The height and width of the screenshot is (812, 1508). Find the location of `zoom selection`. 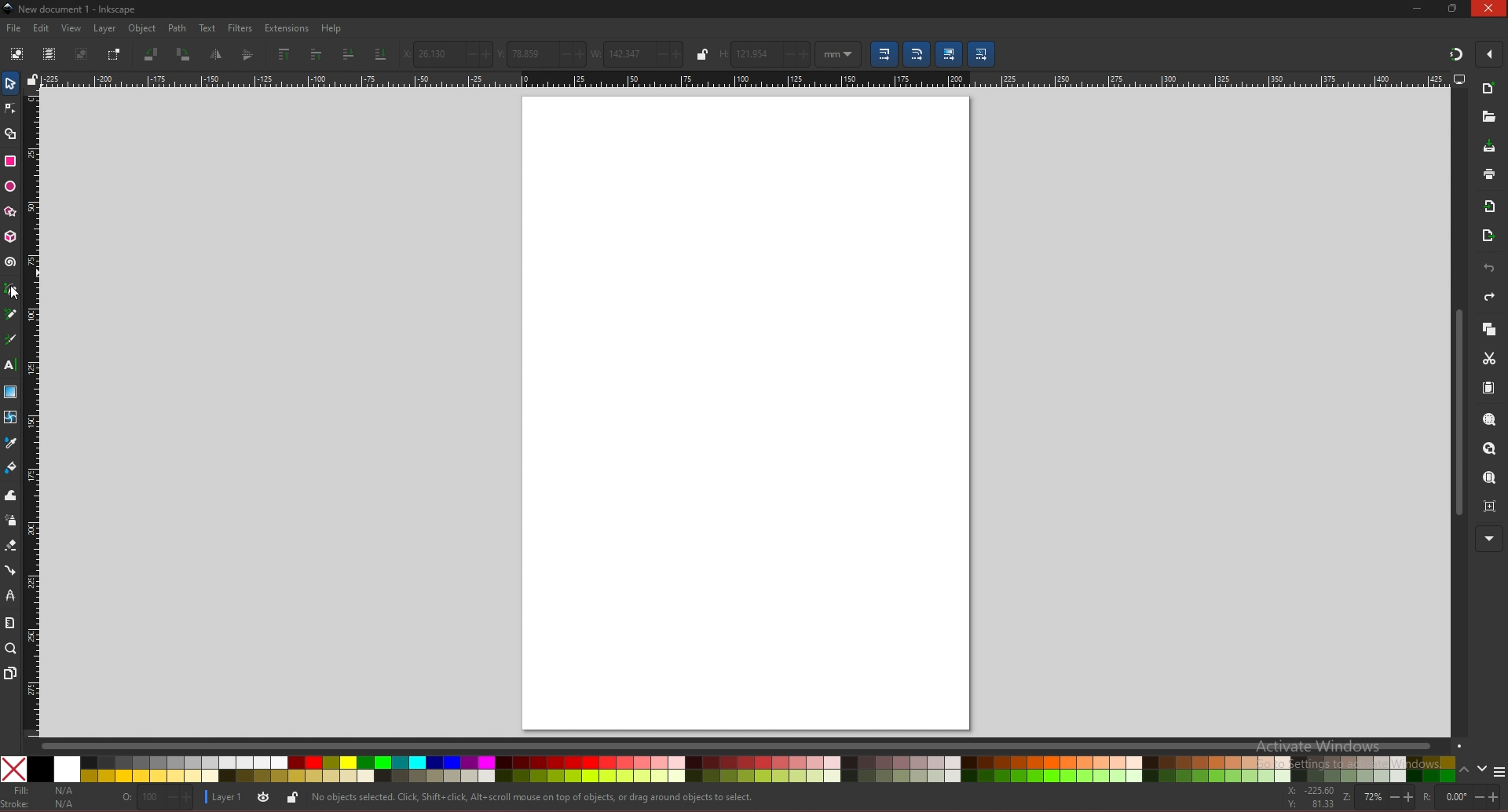

zoom selection is located at coordinates (1491, 421).